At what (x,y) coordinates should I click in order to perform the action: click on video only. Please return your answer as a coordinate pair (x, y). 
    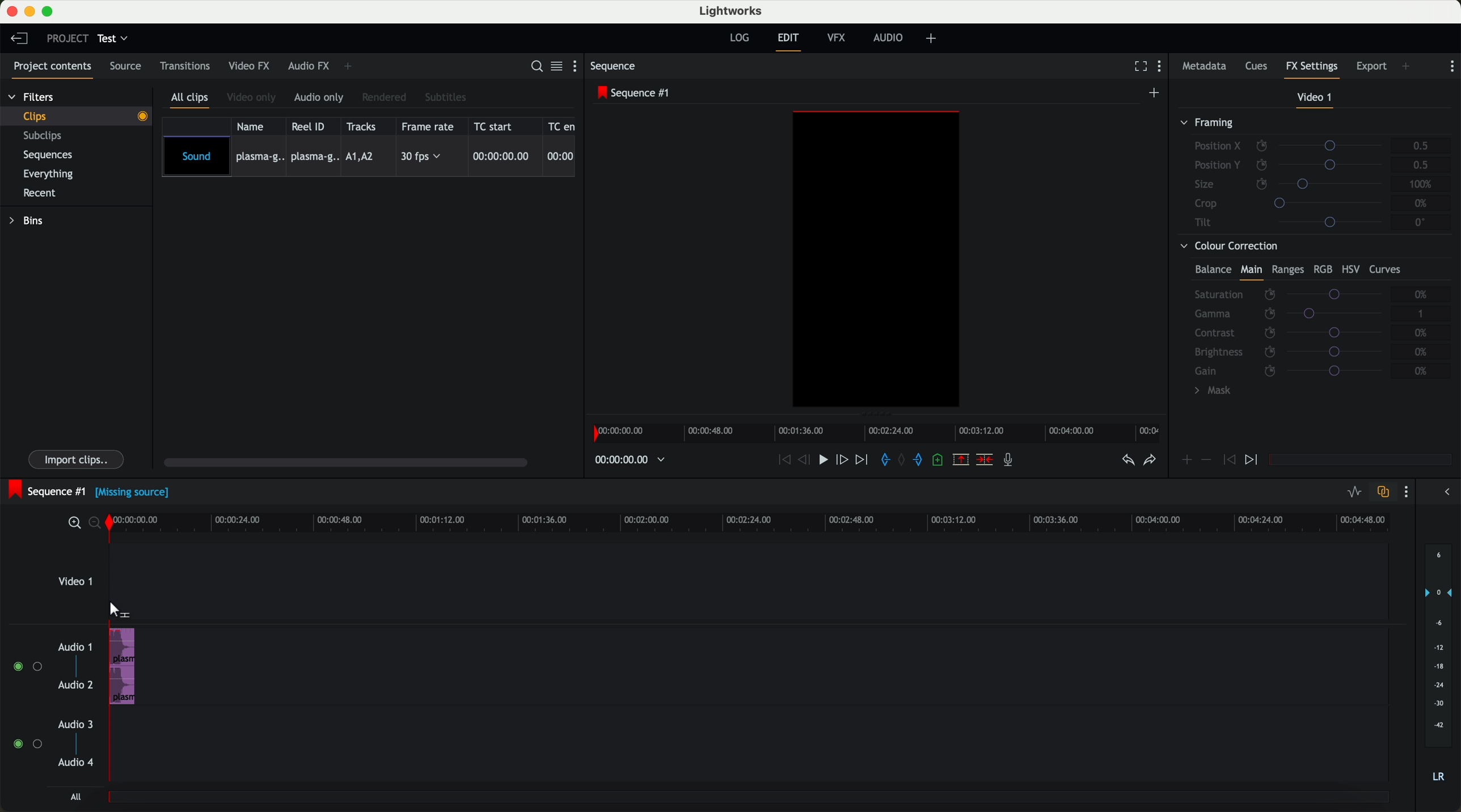
    Looking at the image, I should click on (254, 98).